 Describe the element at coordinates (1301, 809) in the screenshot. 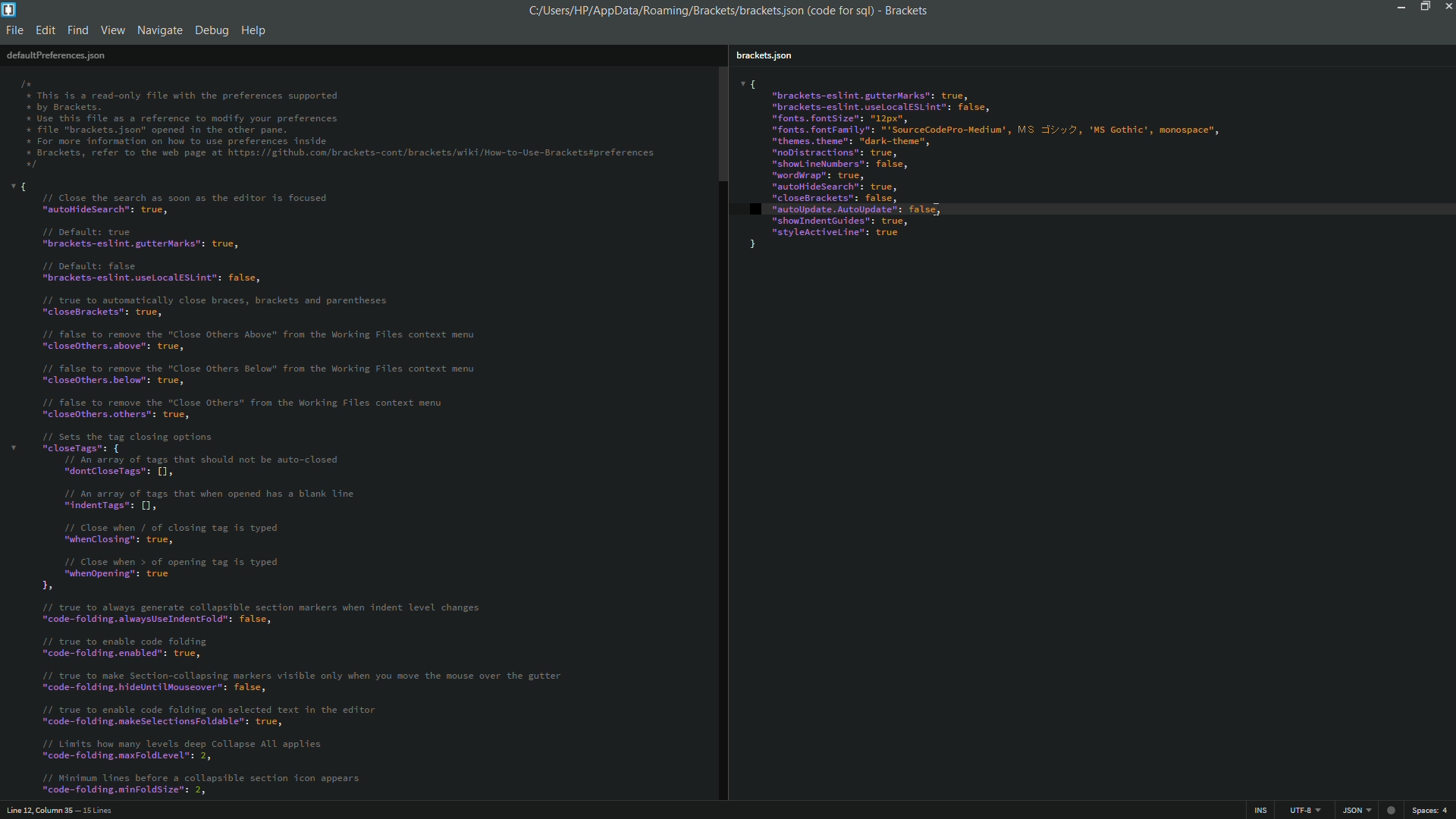

I see `UTF - 8` at that location.